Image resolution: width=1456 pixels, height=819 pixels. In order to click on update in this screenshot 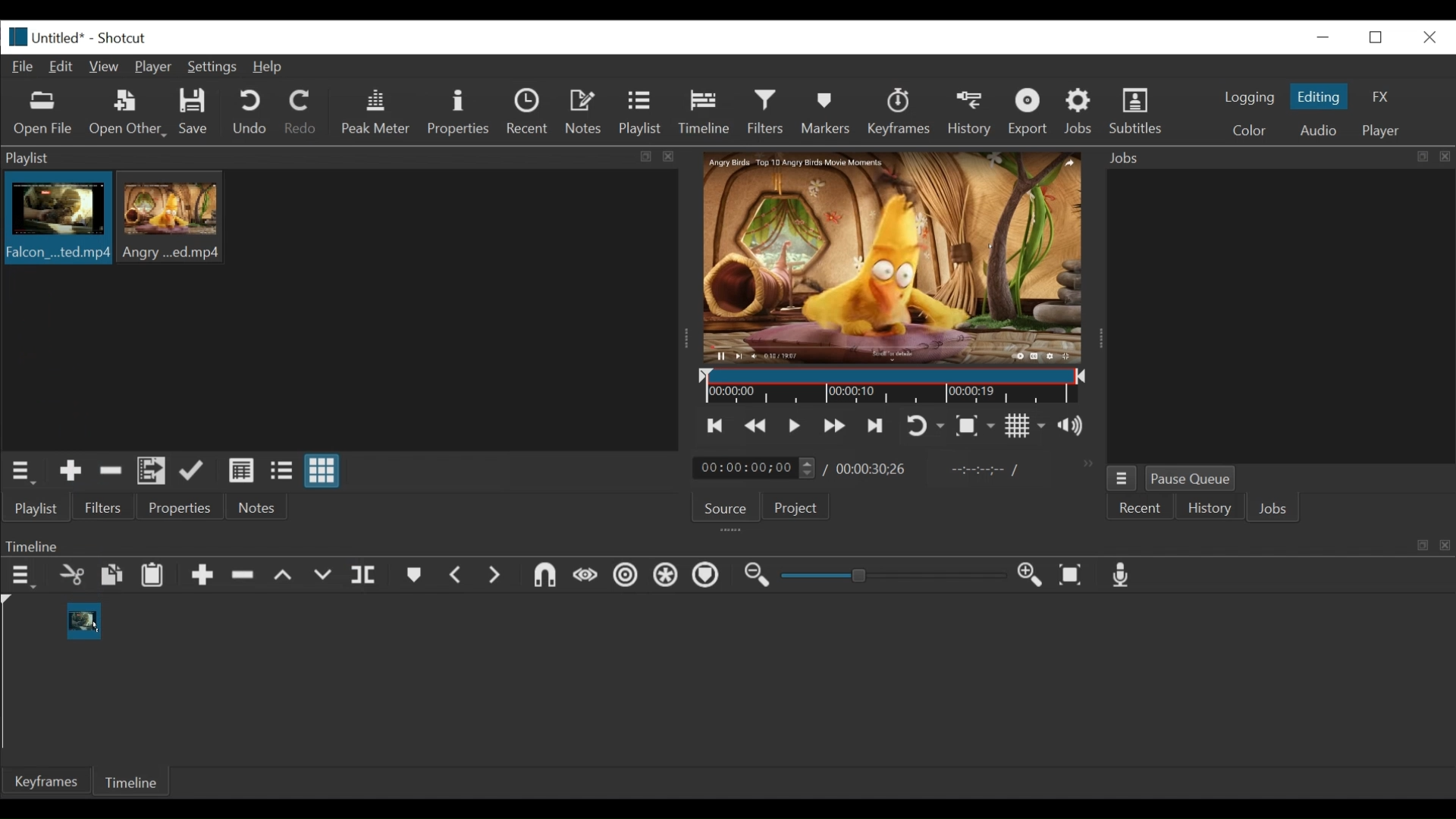, I will do `click(195, 474)`.